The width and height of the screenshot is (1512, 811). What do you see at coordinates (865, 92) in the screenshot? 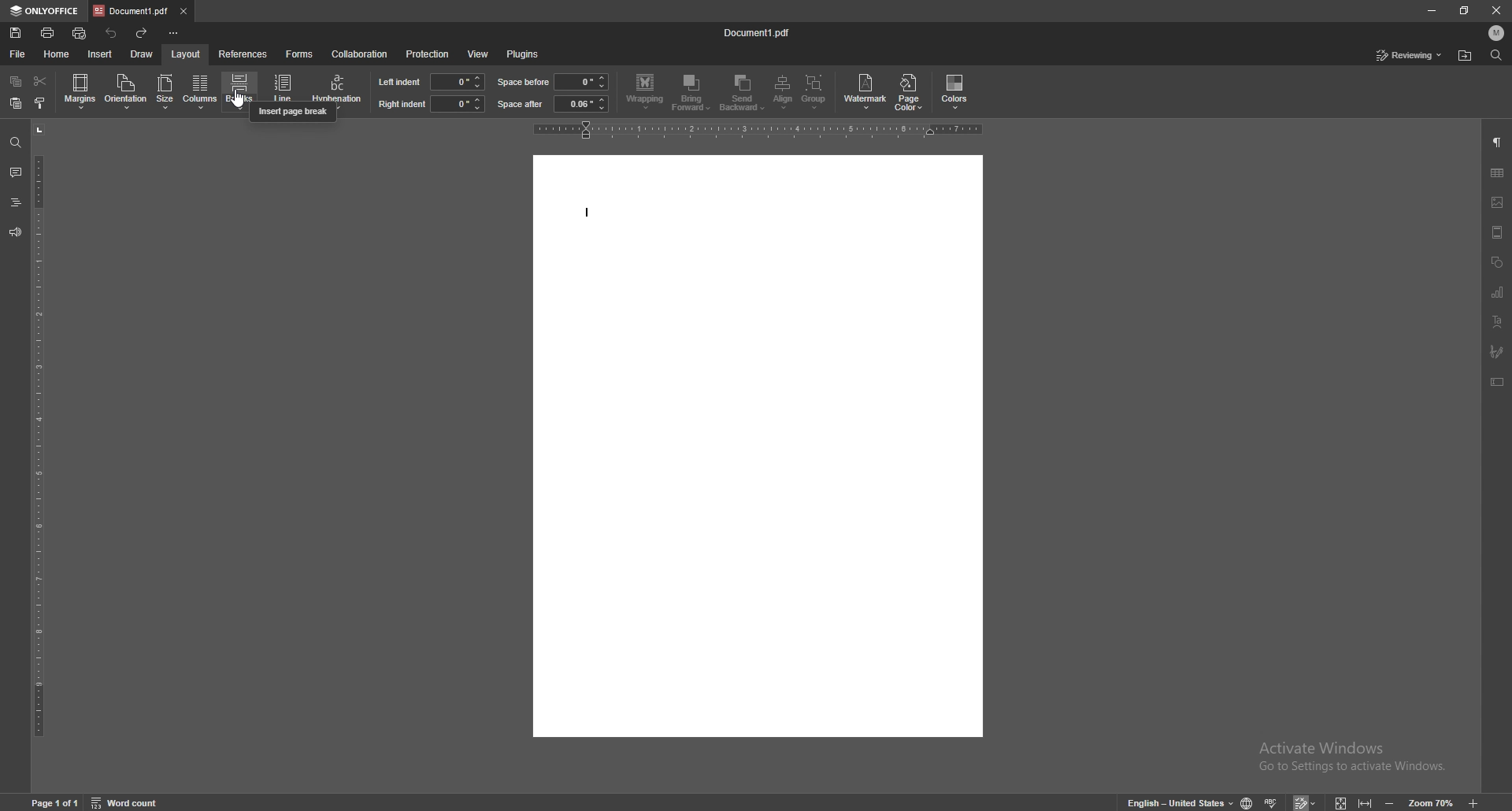
I see `watermark` at bounding box center [865, 92].